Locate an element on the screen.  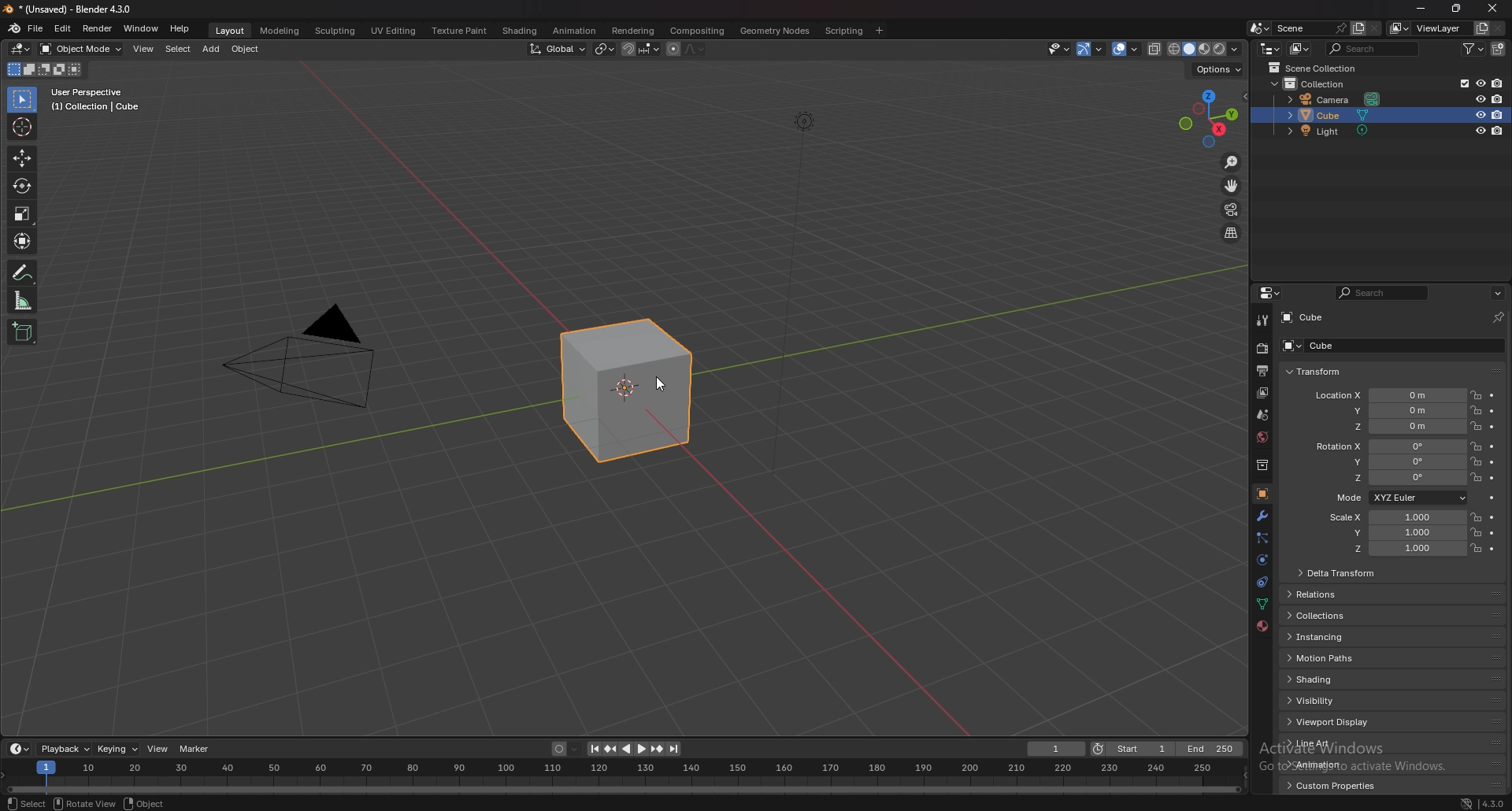
selected cube is located at coordinates (622, 391).